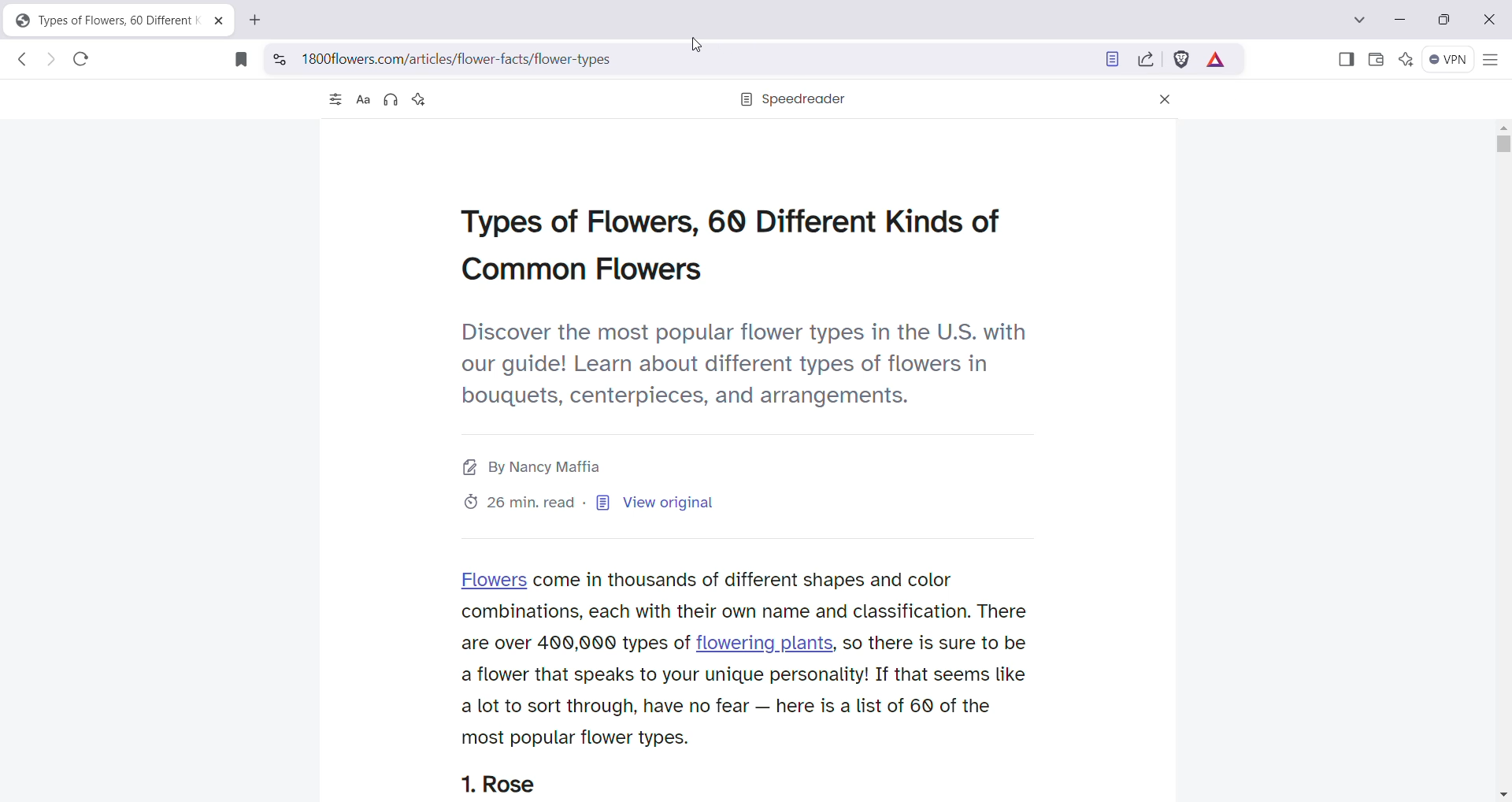  Describe the element at coordinates (573, 644) in the screenshot. I see `are over 400,000 types of` at that location.